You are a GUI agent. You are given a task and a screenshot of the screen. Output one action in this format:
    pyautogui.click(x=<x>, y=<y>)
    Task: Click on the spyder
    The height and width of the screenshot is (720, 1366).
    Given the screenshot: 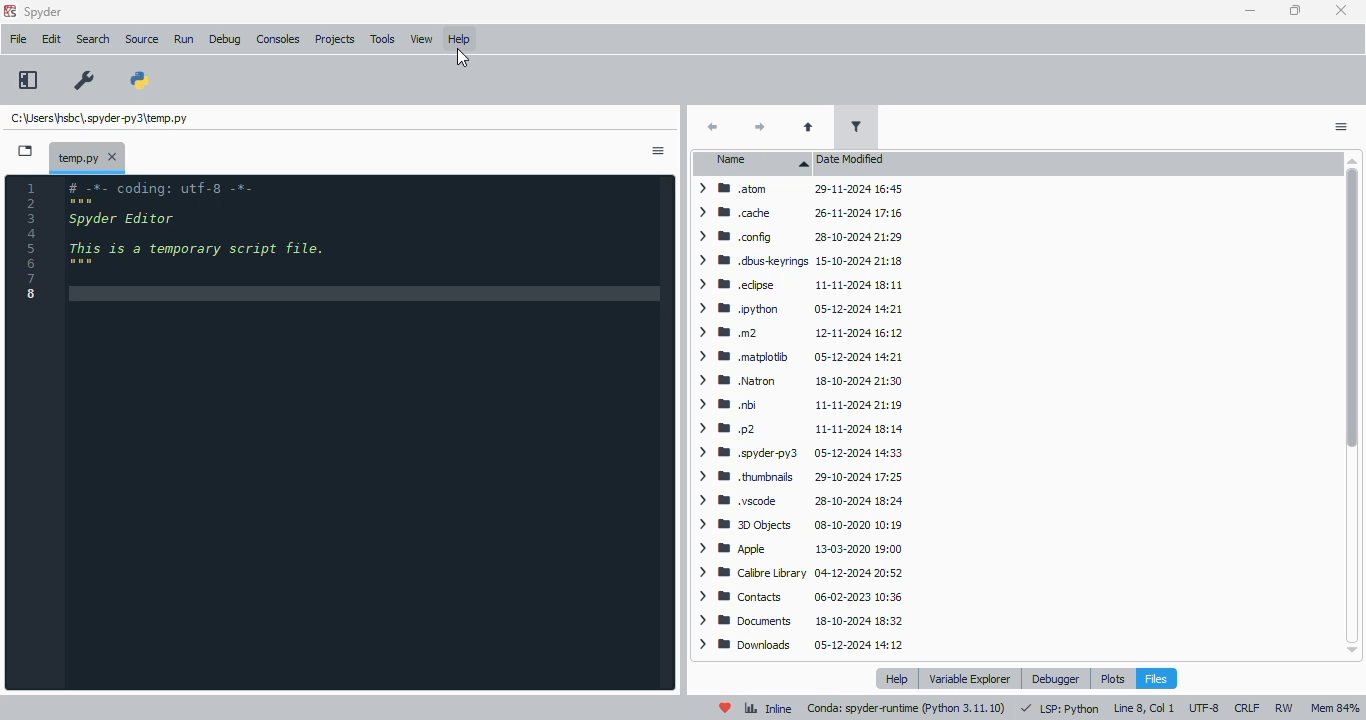 What is the action you would take?
    pyautogui.click(x=43, y=12)
    